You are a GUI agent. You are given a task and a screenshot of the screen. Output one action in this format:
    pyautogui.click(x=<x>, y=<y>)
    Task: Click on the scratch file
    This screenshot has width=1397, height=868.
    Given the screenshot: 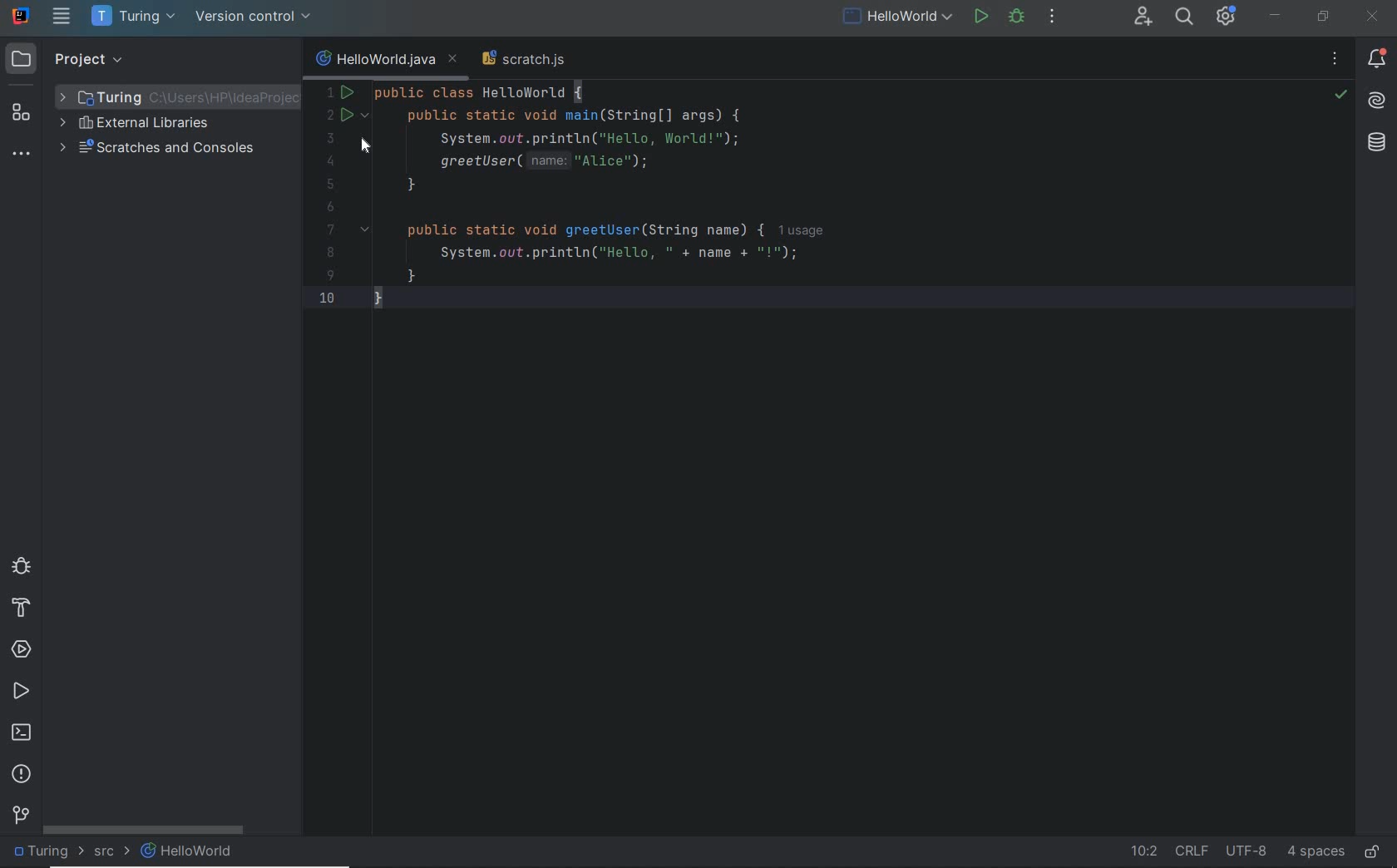 What is the action you would take?
    pyautogui.click(x=528, y=62)
    